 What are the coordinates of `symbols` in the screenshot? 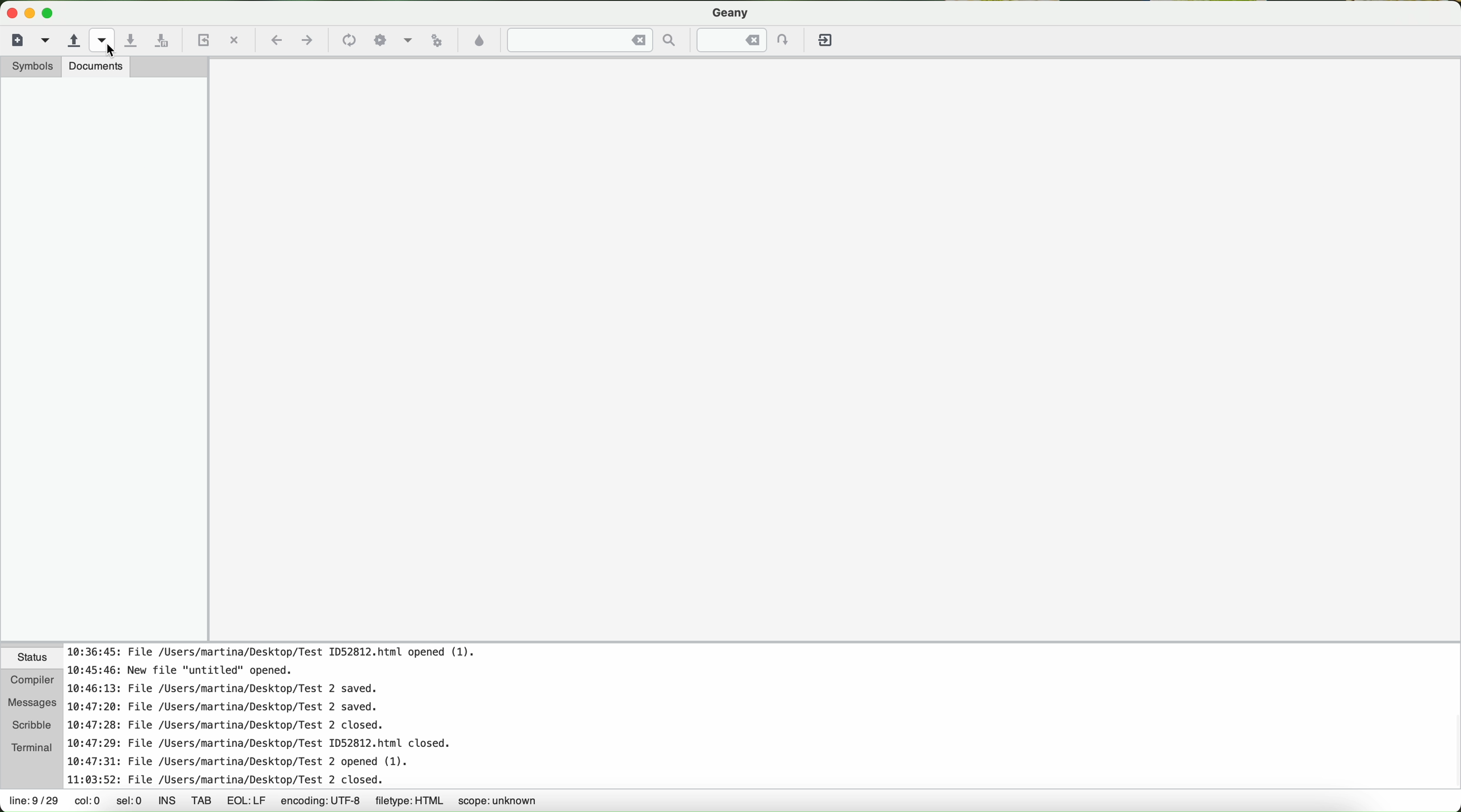 It's located at (29, 66).